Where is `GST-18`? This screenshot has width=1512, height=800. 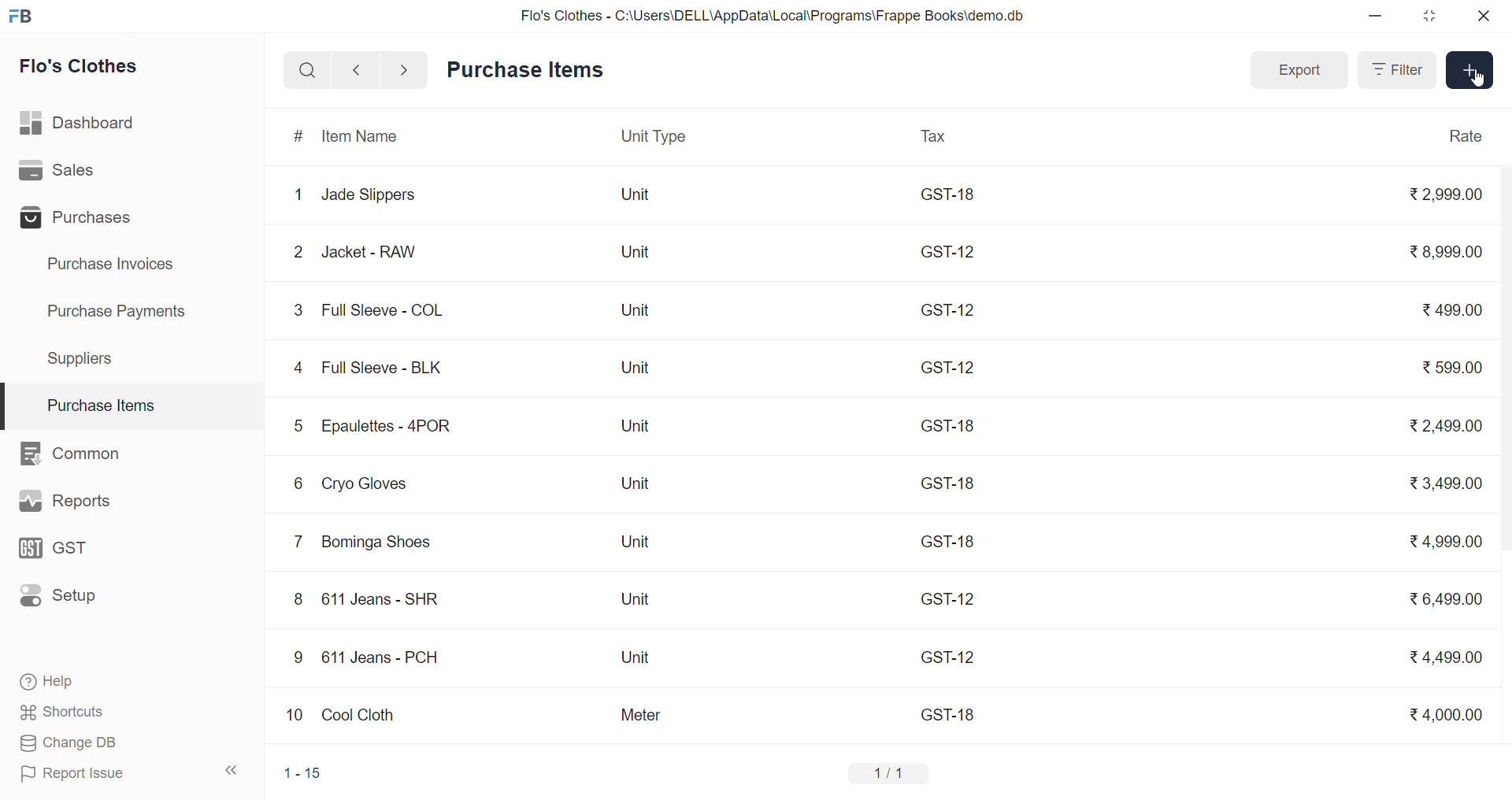 GST-18 is located at coordinates (949, 714).